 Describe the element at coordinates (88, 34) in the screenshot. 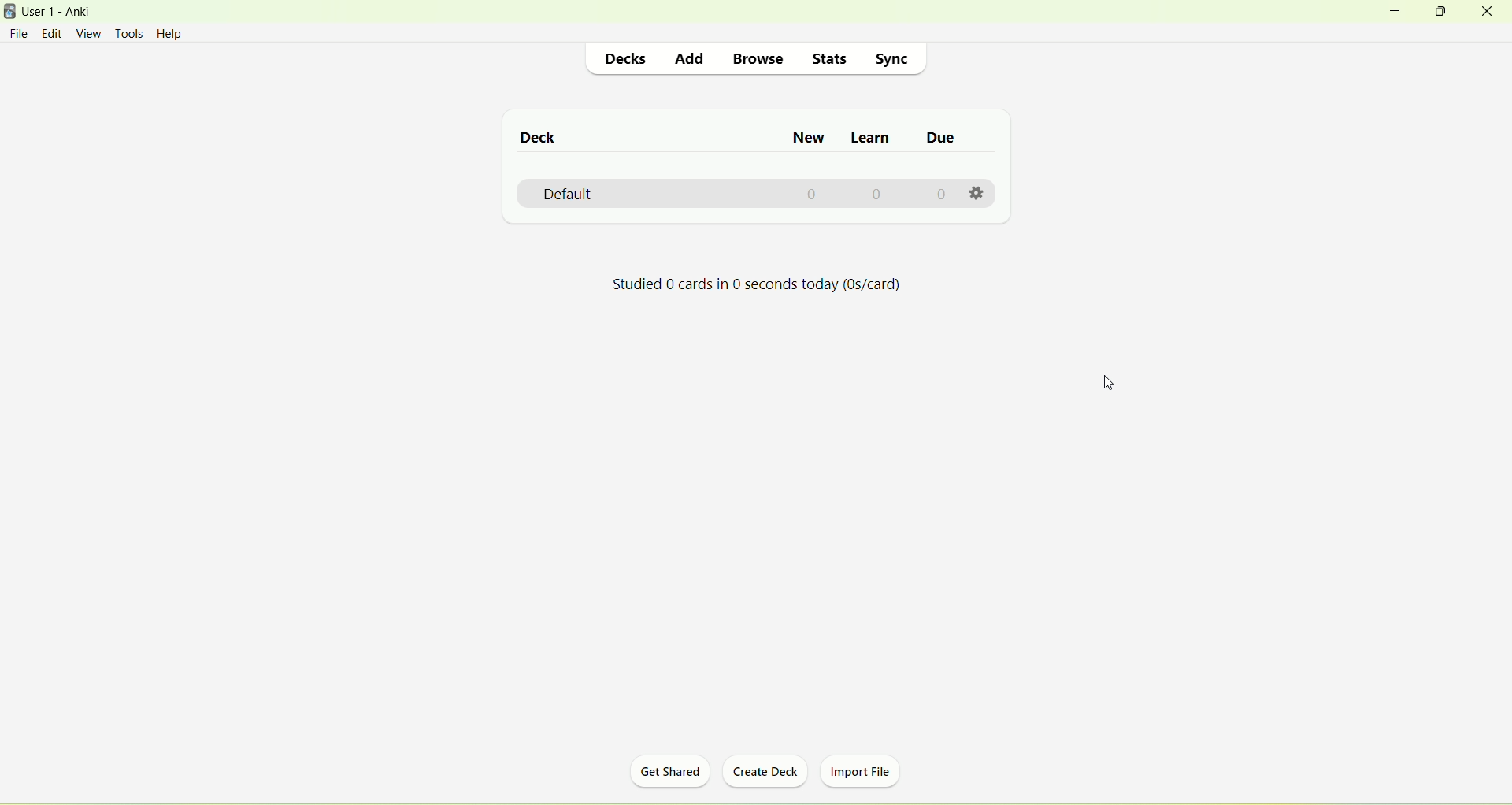

I see `view` at that location.